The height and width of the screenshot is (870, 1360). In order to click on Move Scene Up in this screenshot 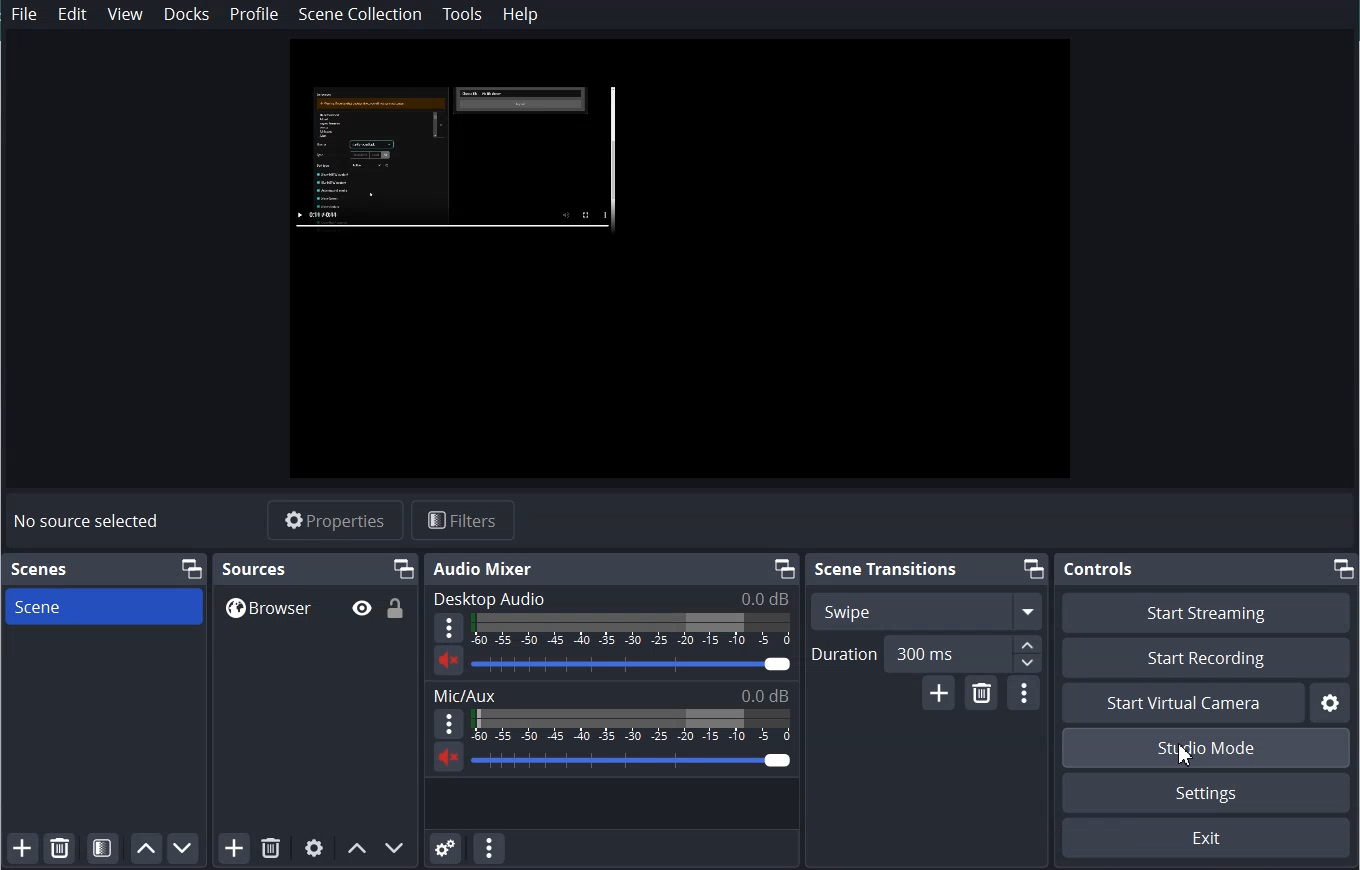, I will do `click(146, 849)`.